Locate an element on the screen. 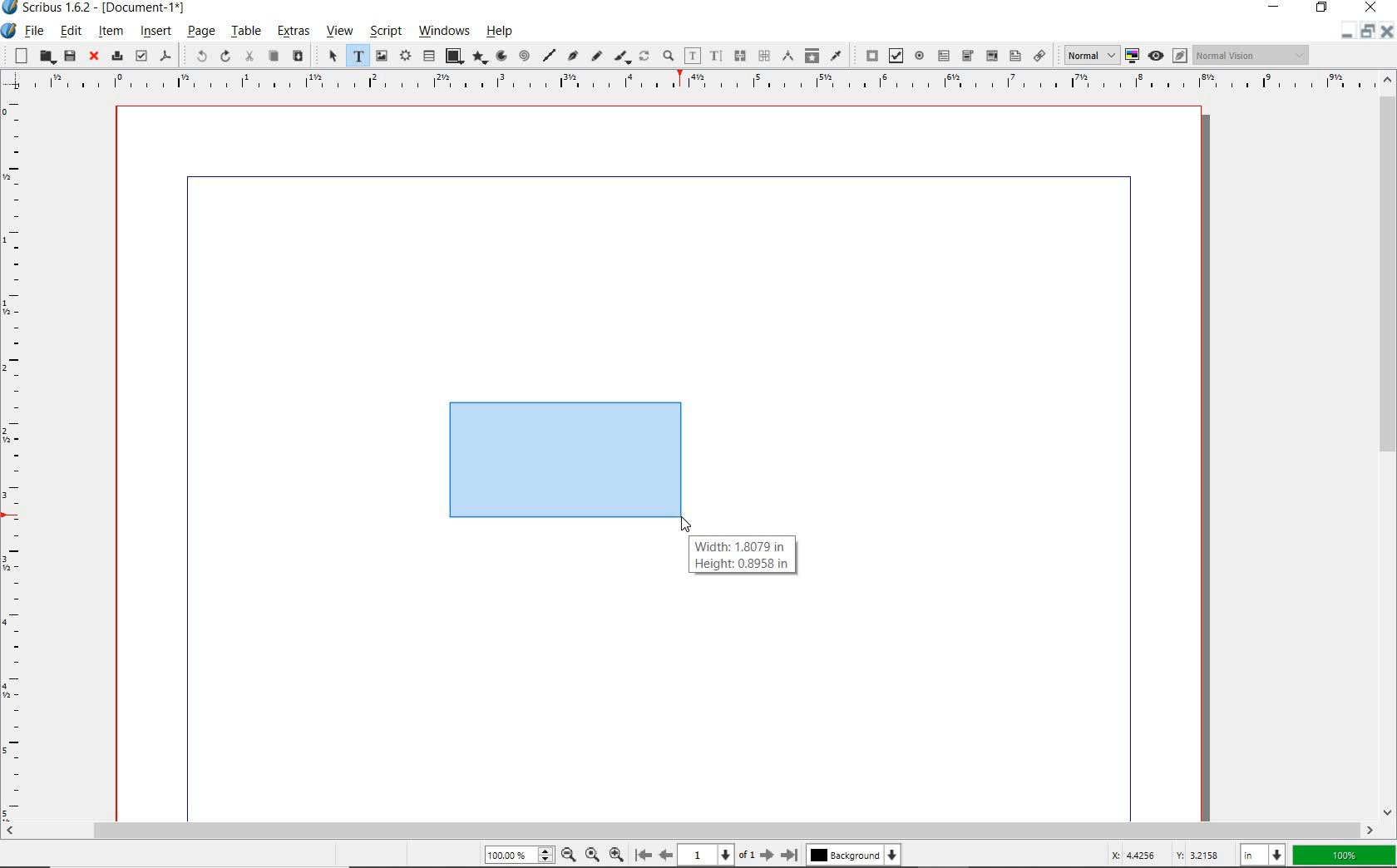 Image resolution: width=1397 pixels, height=868 pixels. mock text frame is located at coordinates (565, 460).